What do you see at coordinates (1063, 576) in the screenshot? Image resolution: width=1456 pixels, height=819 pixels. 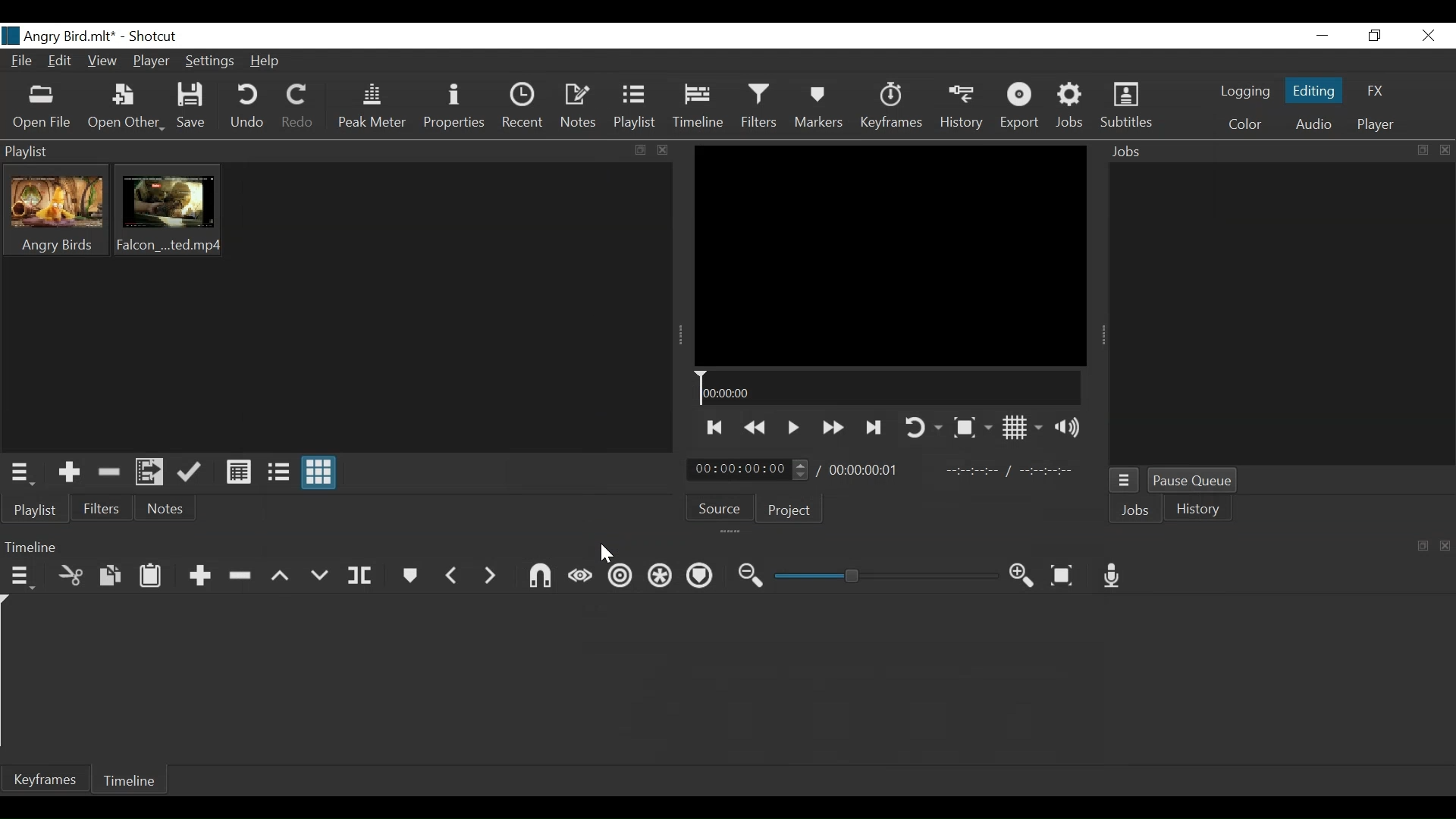 I see `Zoom timeline to fit` at bounding box center [1063, 576].